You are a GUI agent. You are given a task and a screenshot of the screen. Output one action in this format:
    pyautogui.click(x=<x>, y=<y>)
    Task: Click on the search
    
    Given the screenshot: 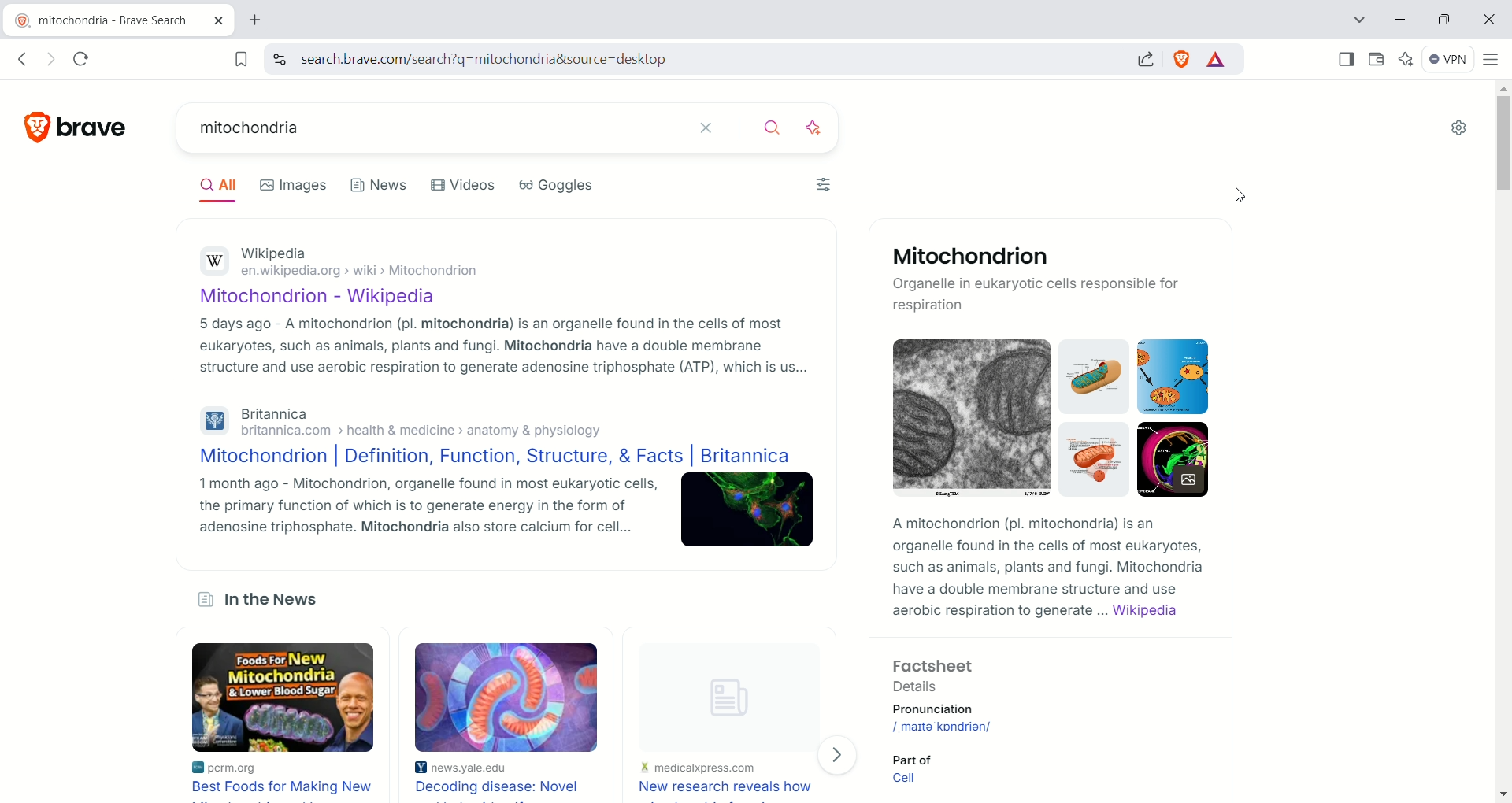 What is the action you would take?
    pyautogui.click(x=774, y=128)
    